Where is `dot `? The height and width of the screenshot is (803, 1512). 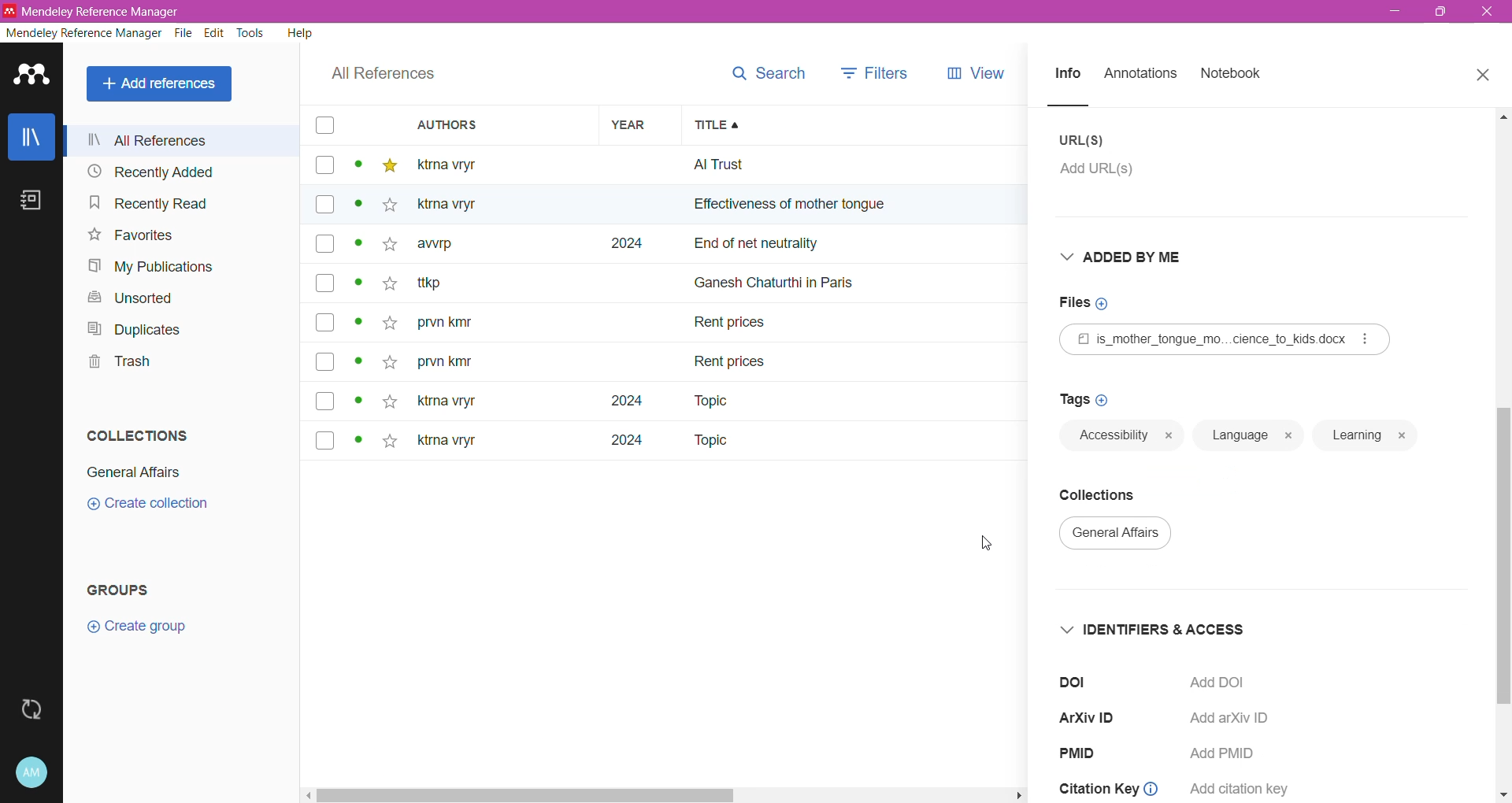
dot  is located at coordinates (357, 168).